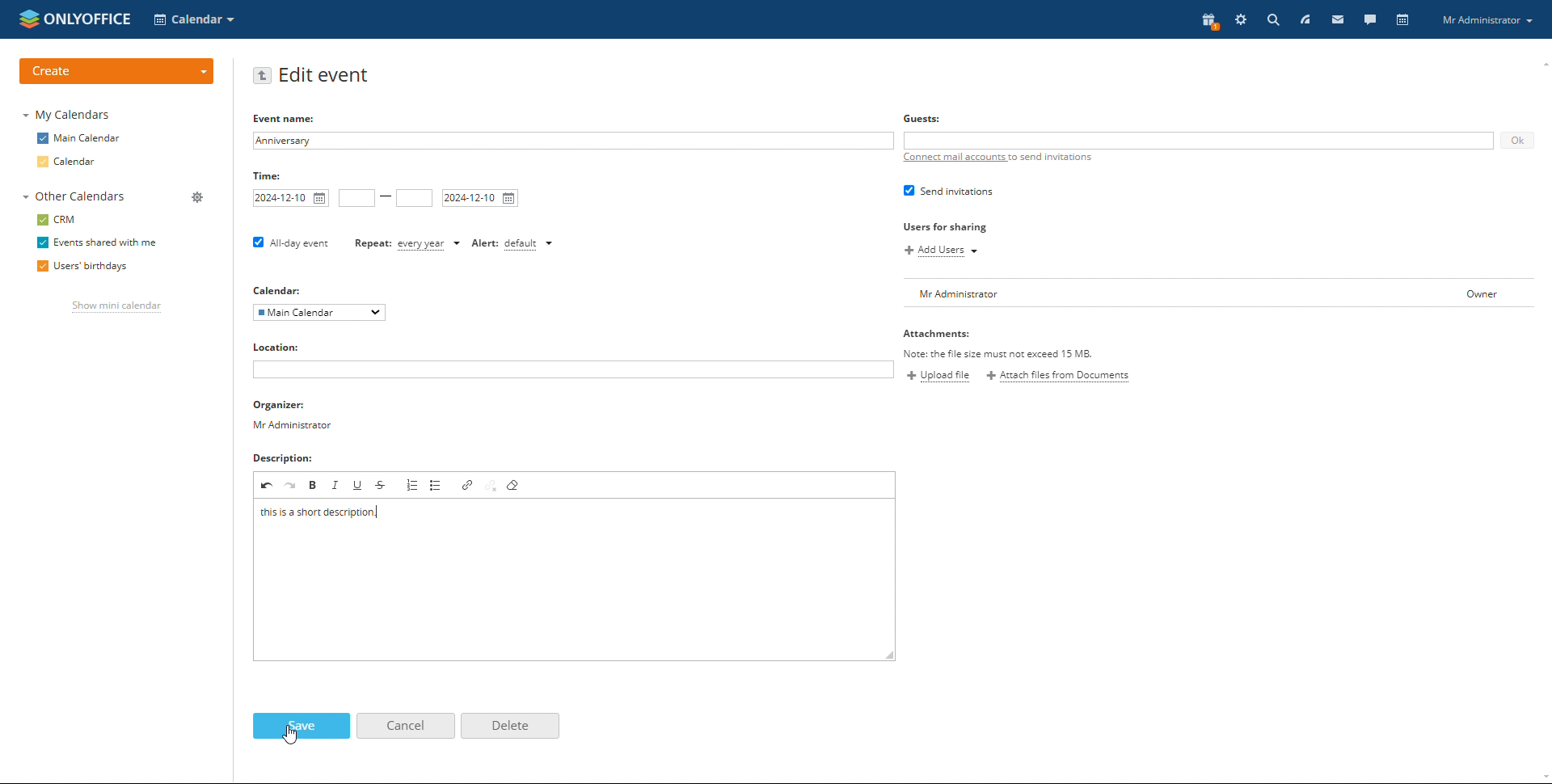 The height and width of the screenshot is (784, 1552). What do you see at coordinates (273, 175) in the screenshot?
I see `Time:` at bounding box center [273, 175].